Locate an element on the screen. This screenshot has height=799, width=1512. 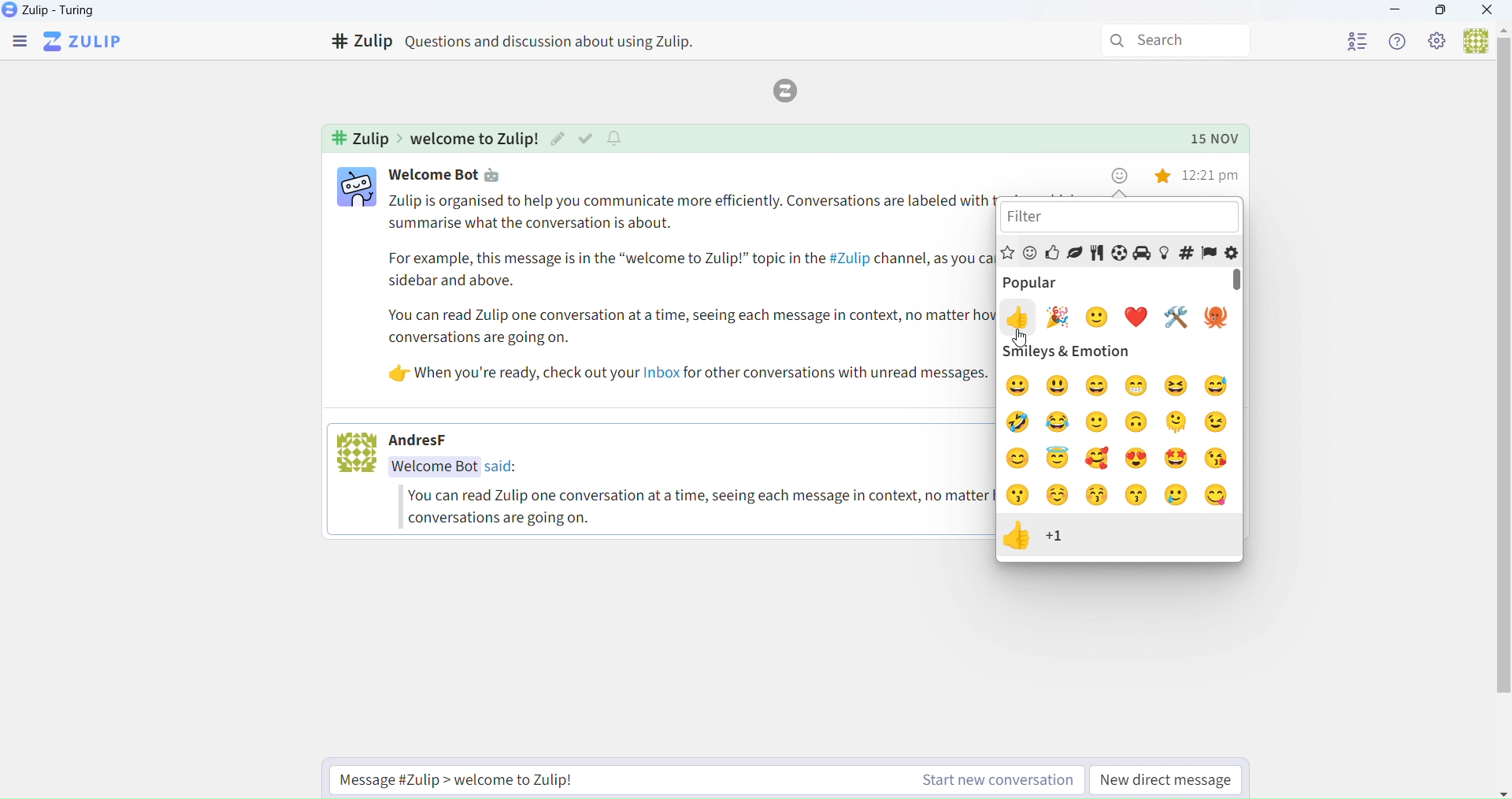
smile with hearts on face is located at coordinates (1099, 456).